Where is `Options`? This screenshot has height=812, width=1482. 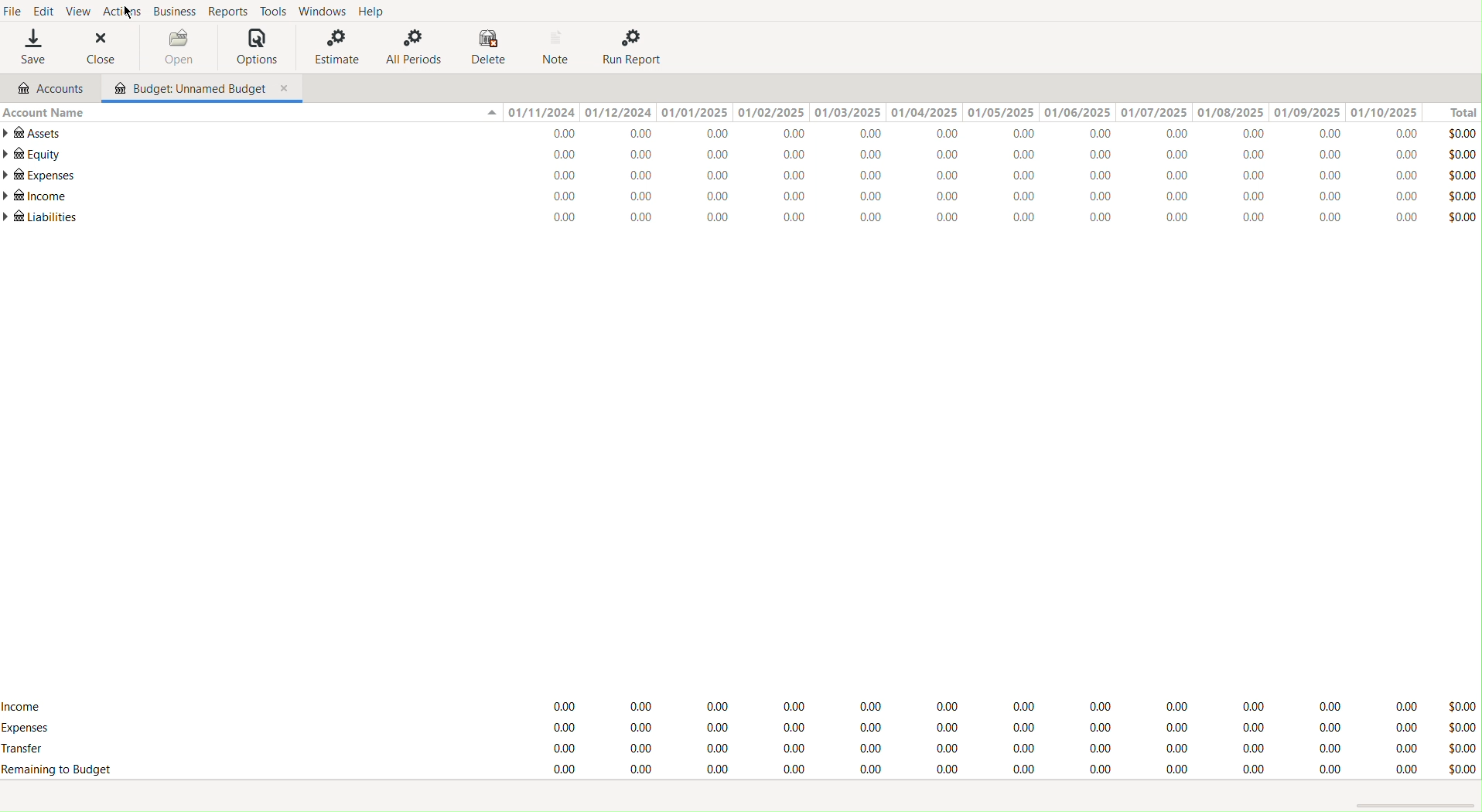 Options is located at coordinates (253, 48).